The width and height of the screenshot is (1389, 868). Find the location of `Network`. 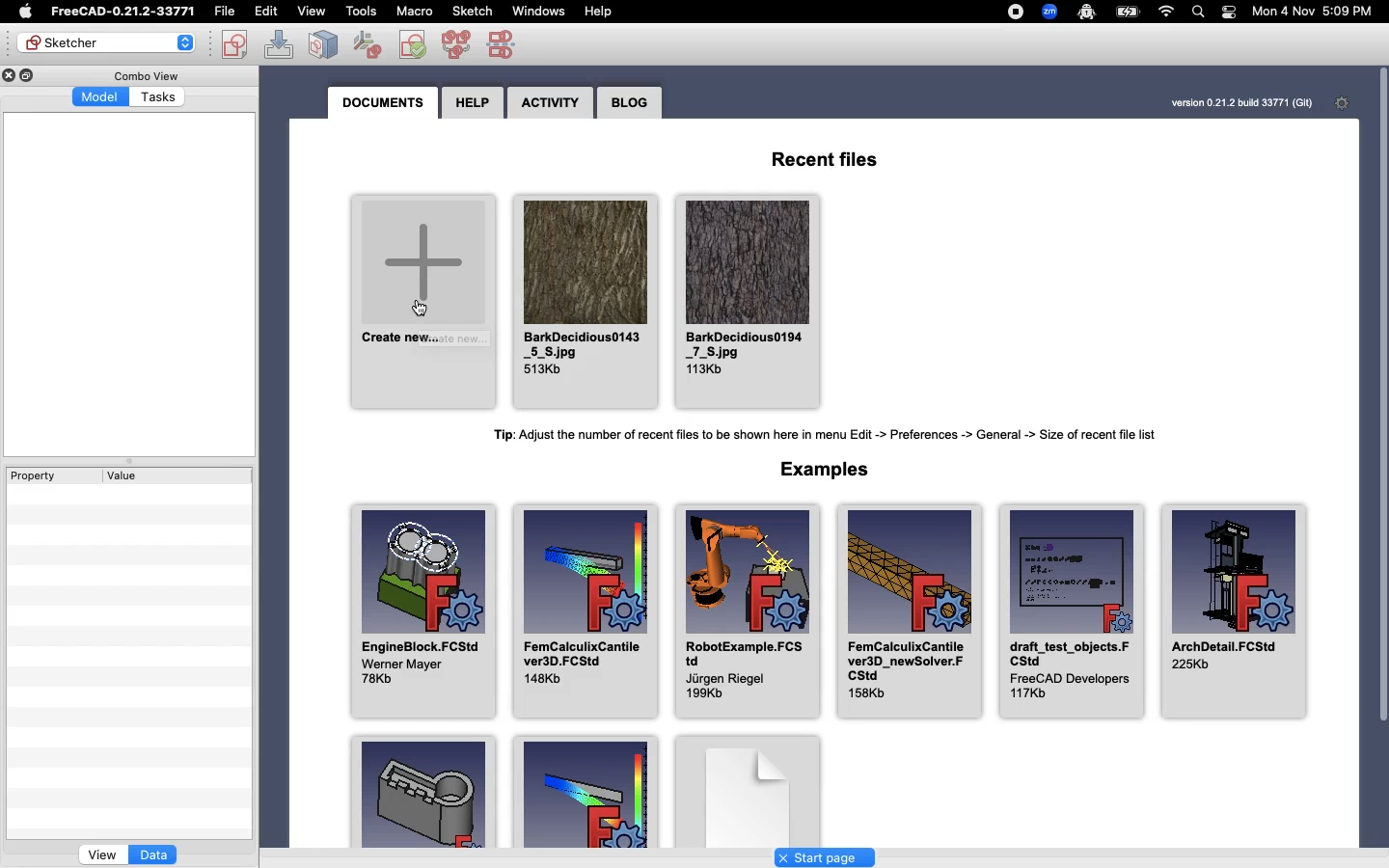

Network is located at coordinates (1163, 12).